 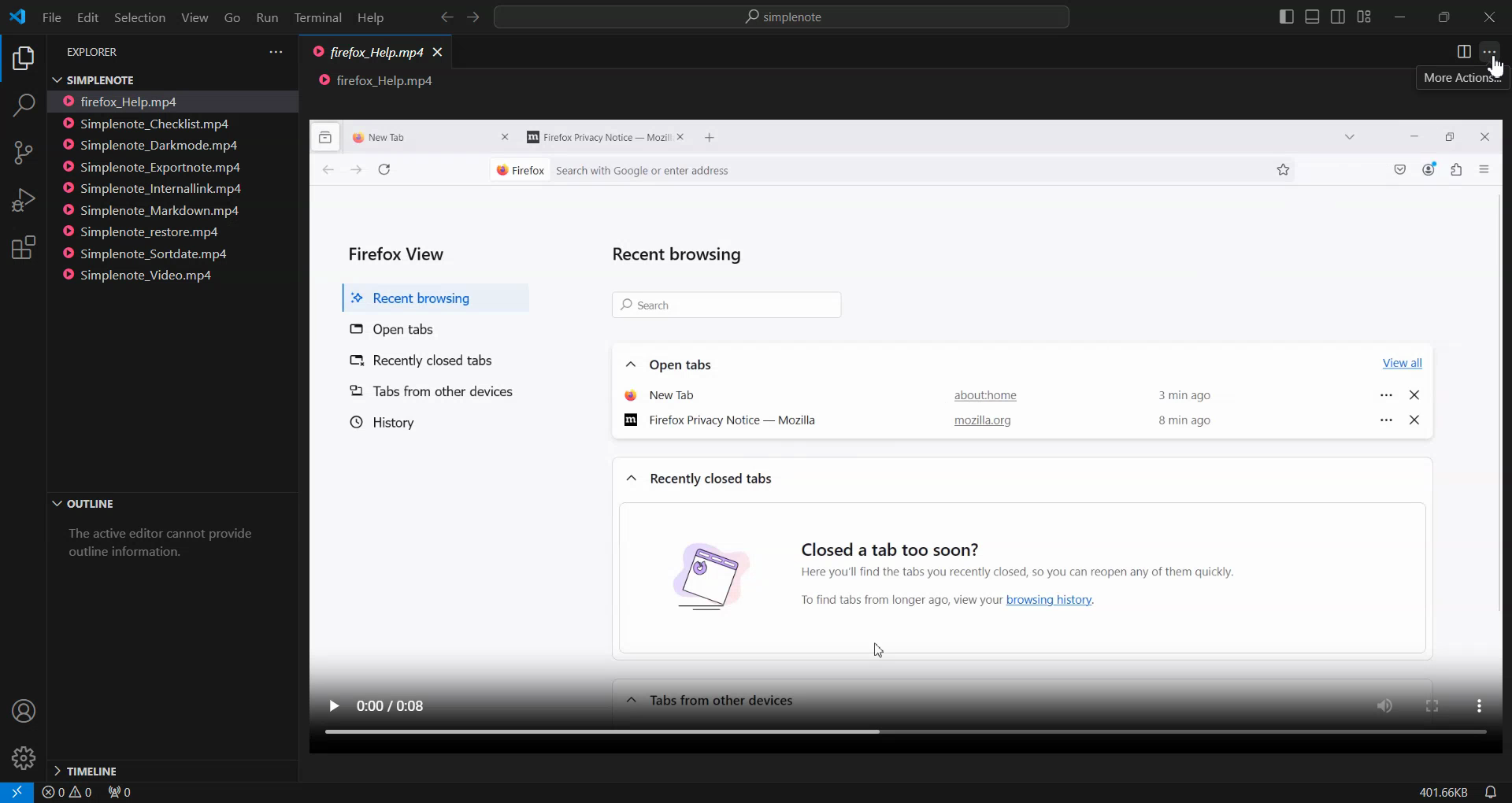 I want to click on Open tabs, so click(x=672, y=362).